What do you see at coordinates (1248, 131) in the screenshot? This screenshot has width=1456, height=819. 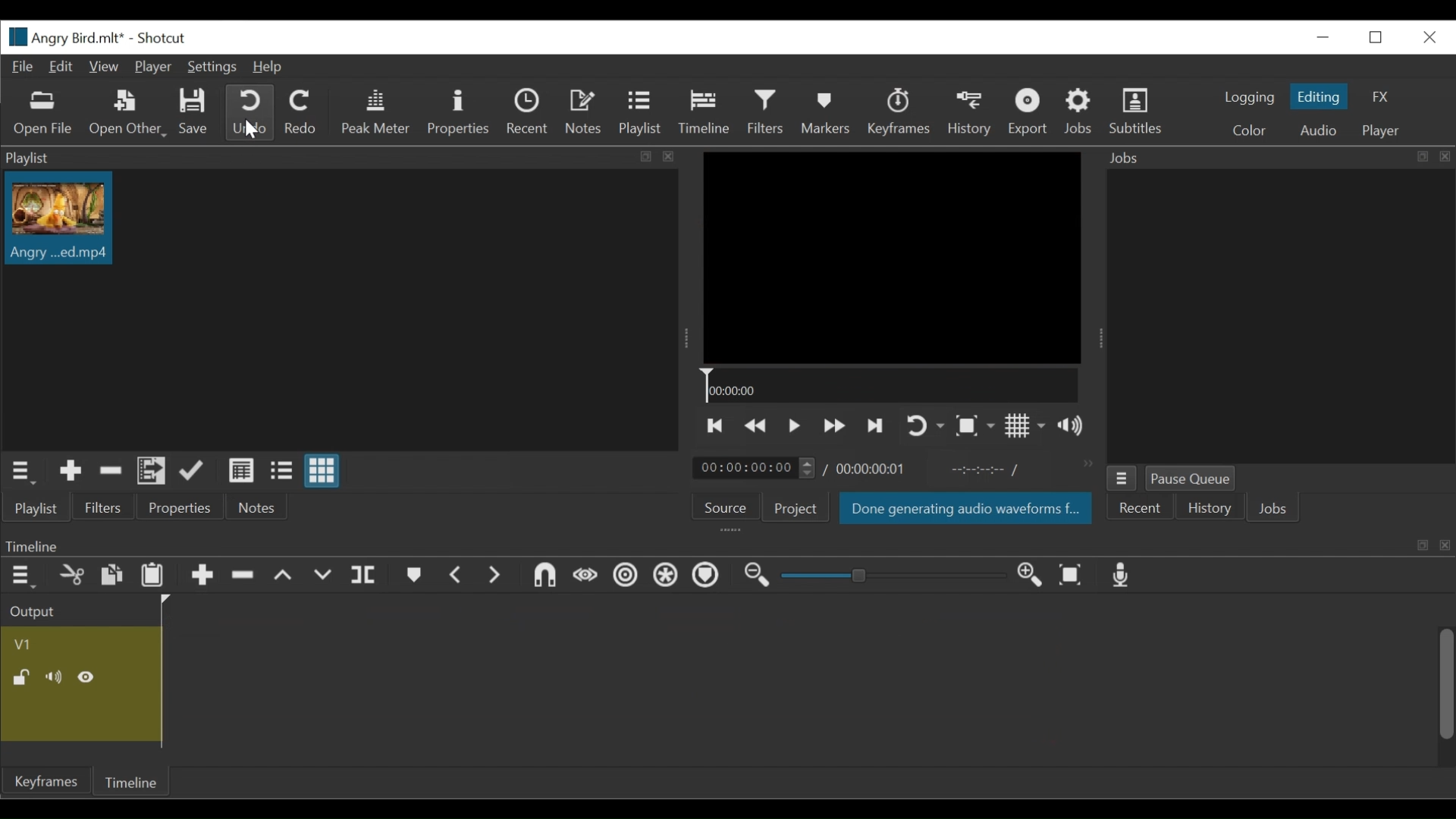 I see `color` at bounding box center [1248, 131].